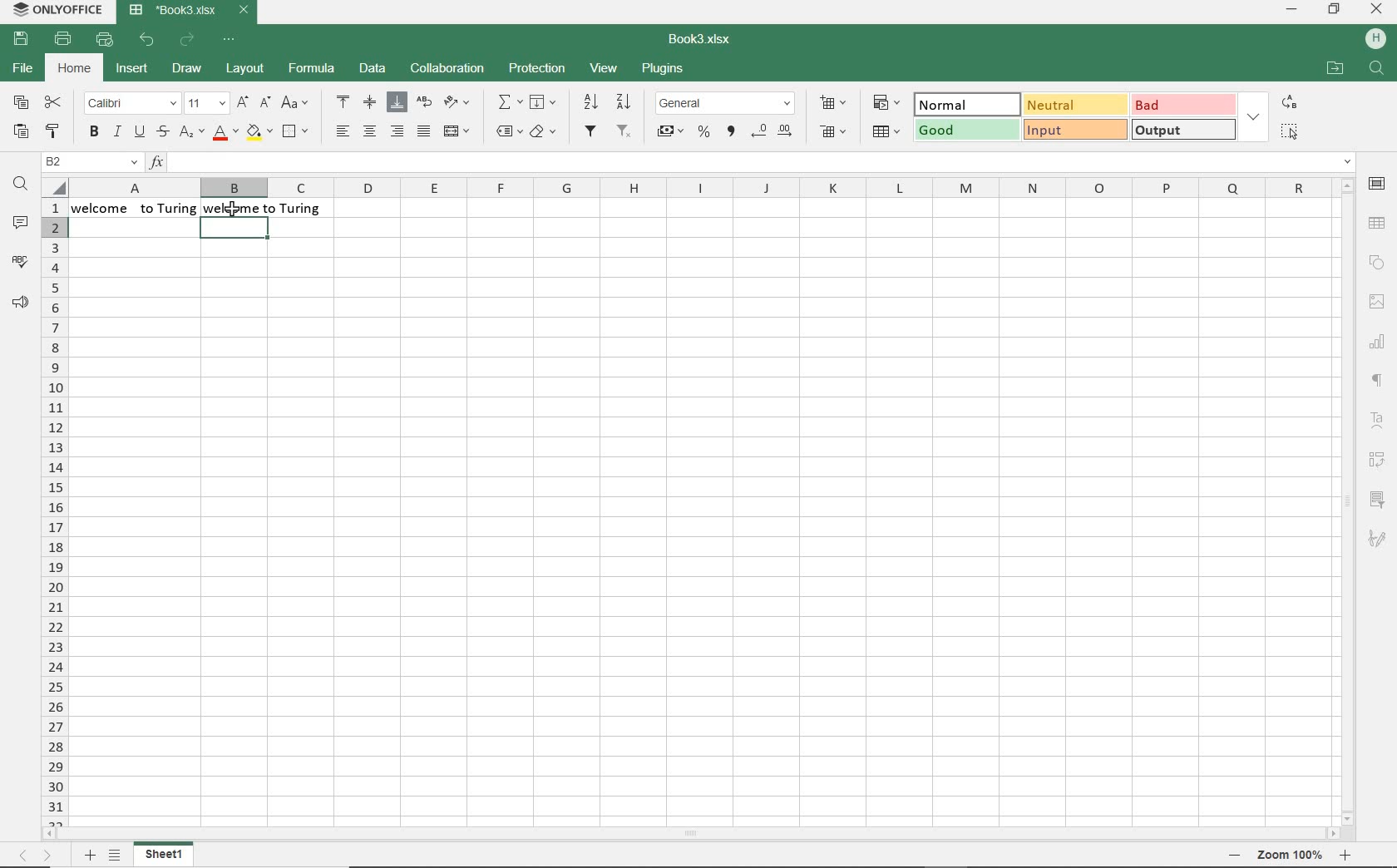 Image resolution: width=1397 pixels, height=868 pixels. I want to click on quick print, so click(106, 40).